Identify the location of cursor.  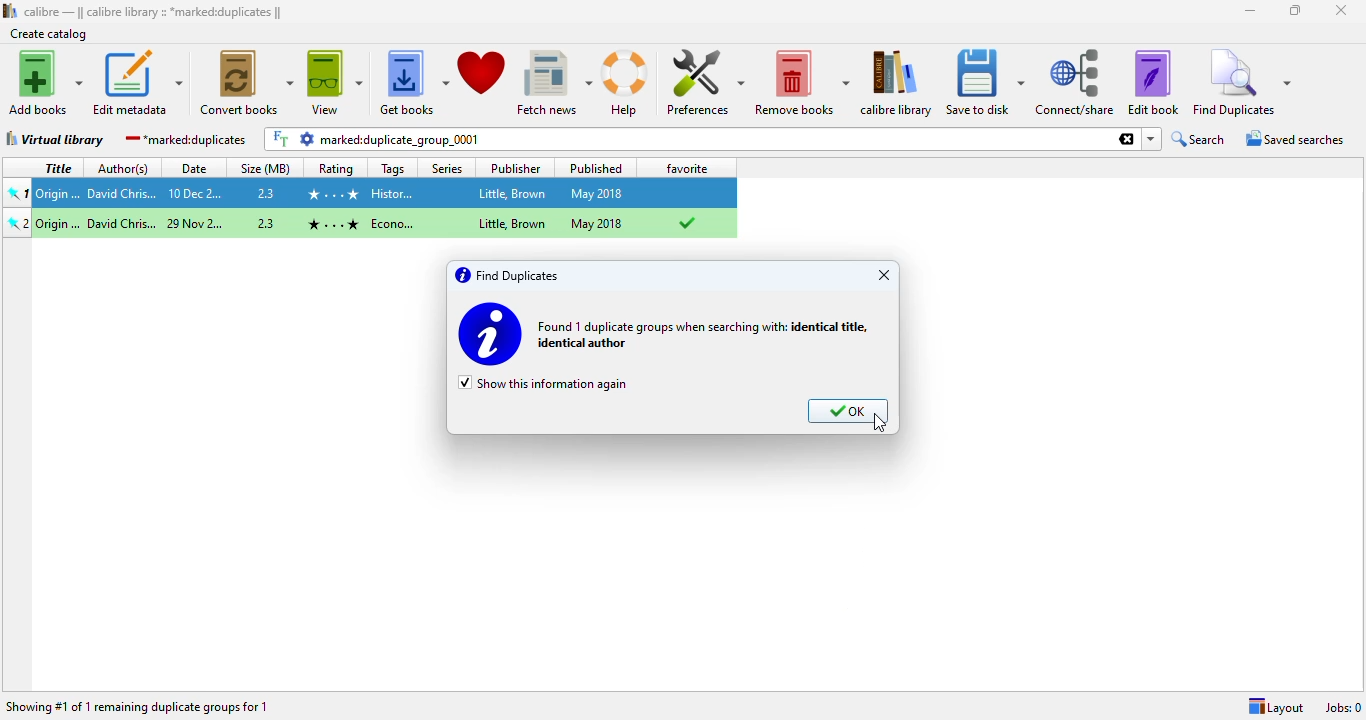
(880, 422).